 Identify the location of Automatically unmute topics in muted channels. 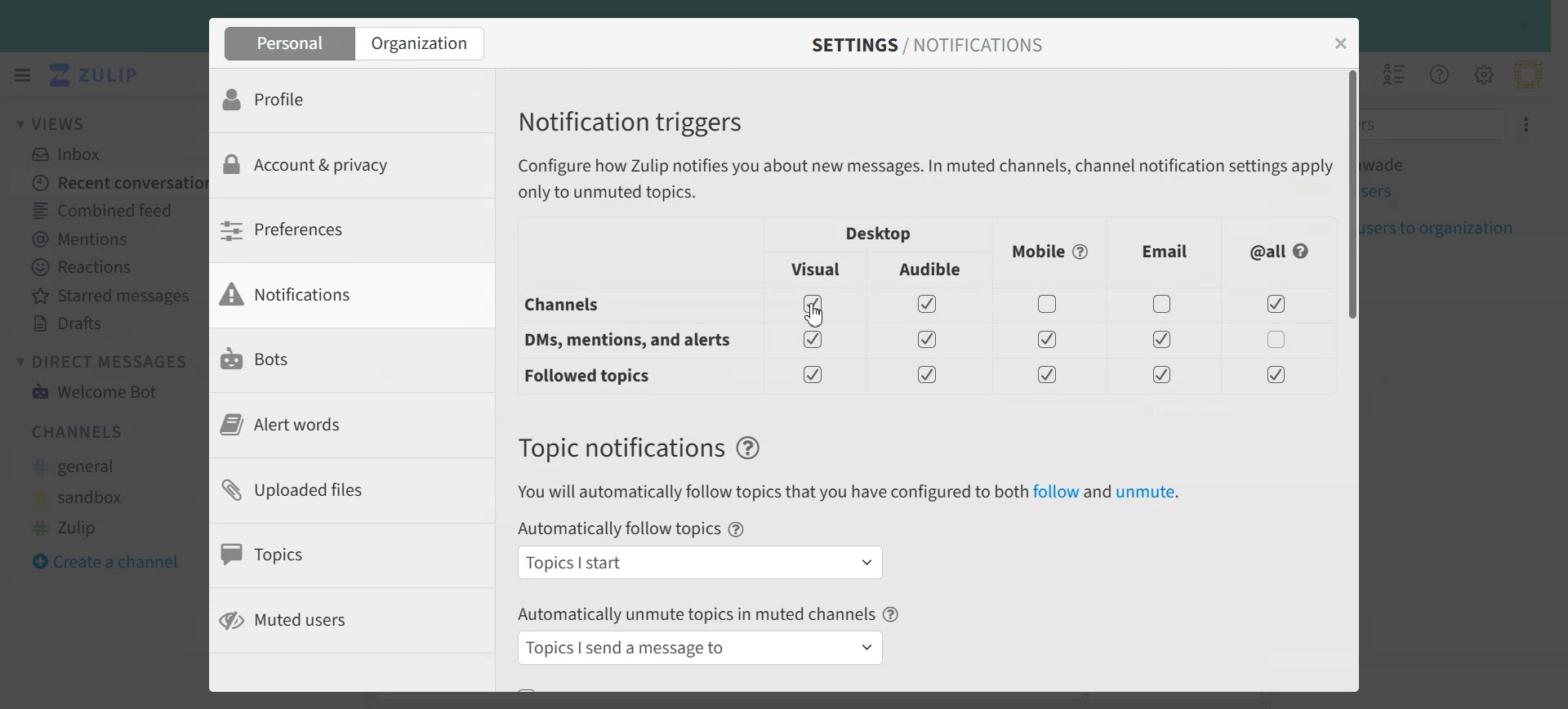
(696, 613).